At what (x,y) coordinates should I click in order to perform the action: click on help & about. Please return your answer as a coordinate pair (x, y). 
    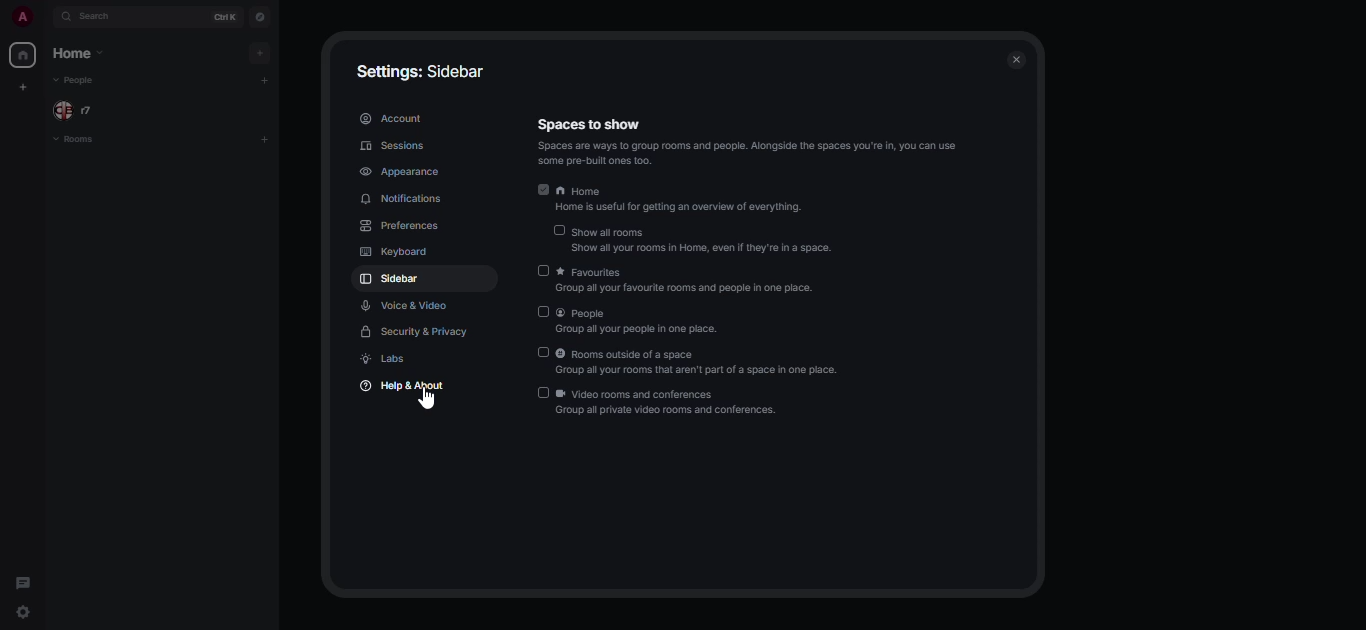
    Looking at the image, I should click on (399, 387).